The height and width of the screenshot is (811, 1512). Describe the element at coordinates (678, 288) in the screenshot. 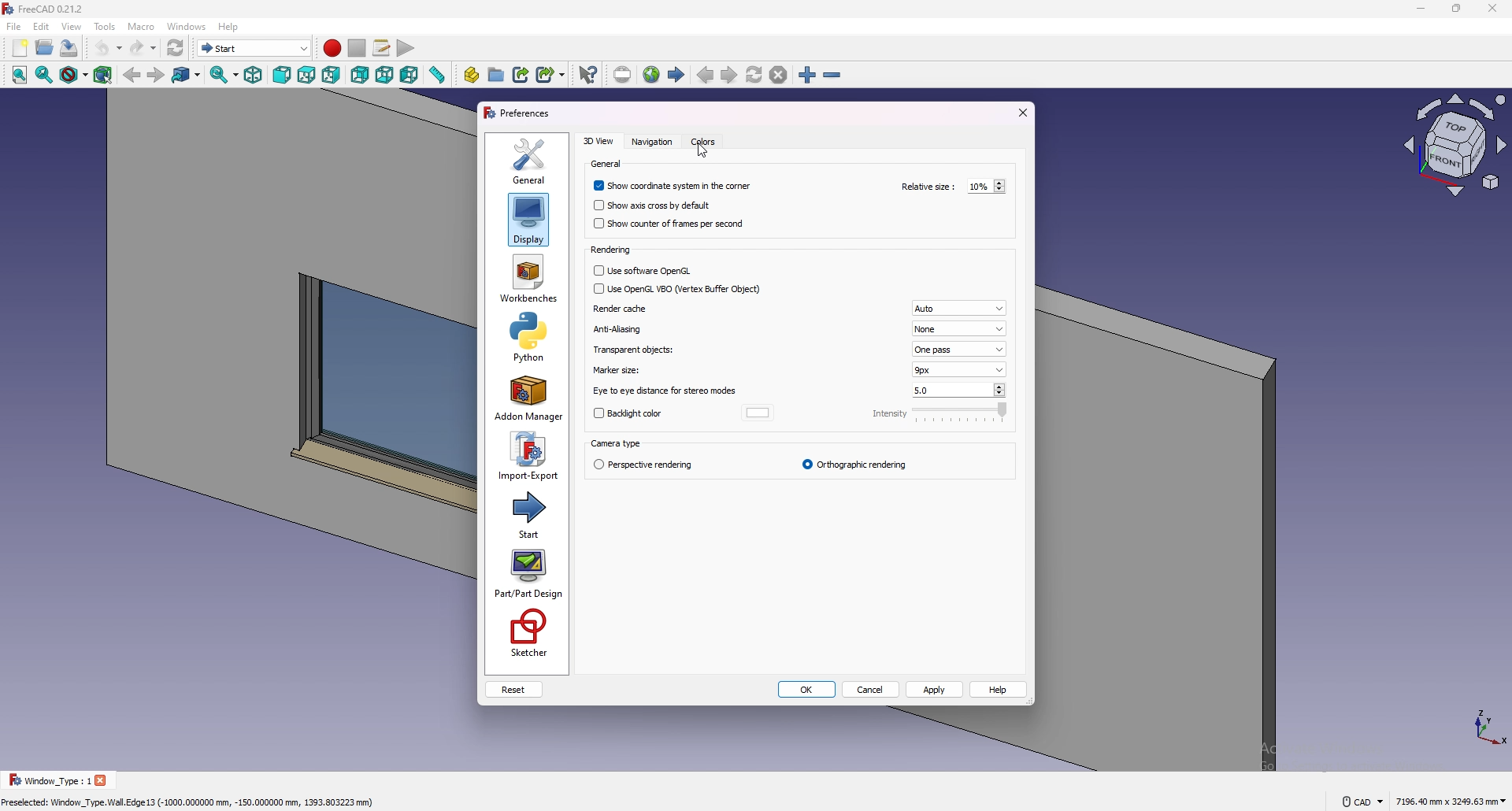

I see `use openGL VBO (Vertex Buffer Object)` at that location.